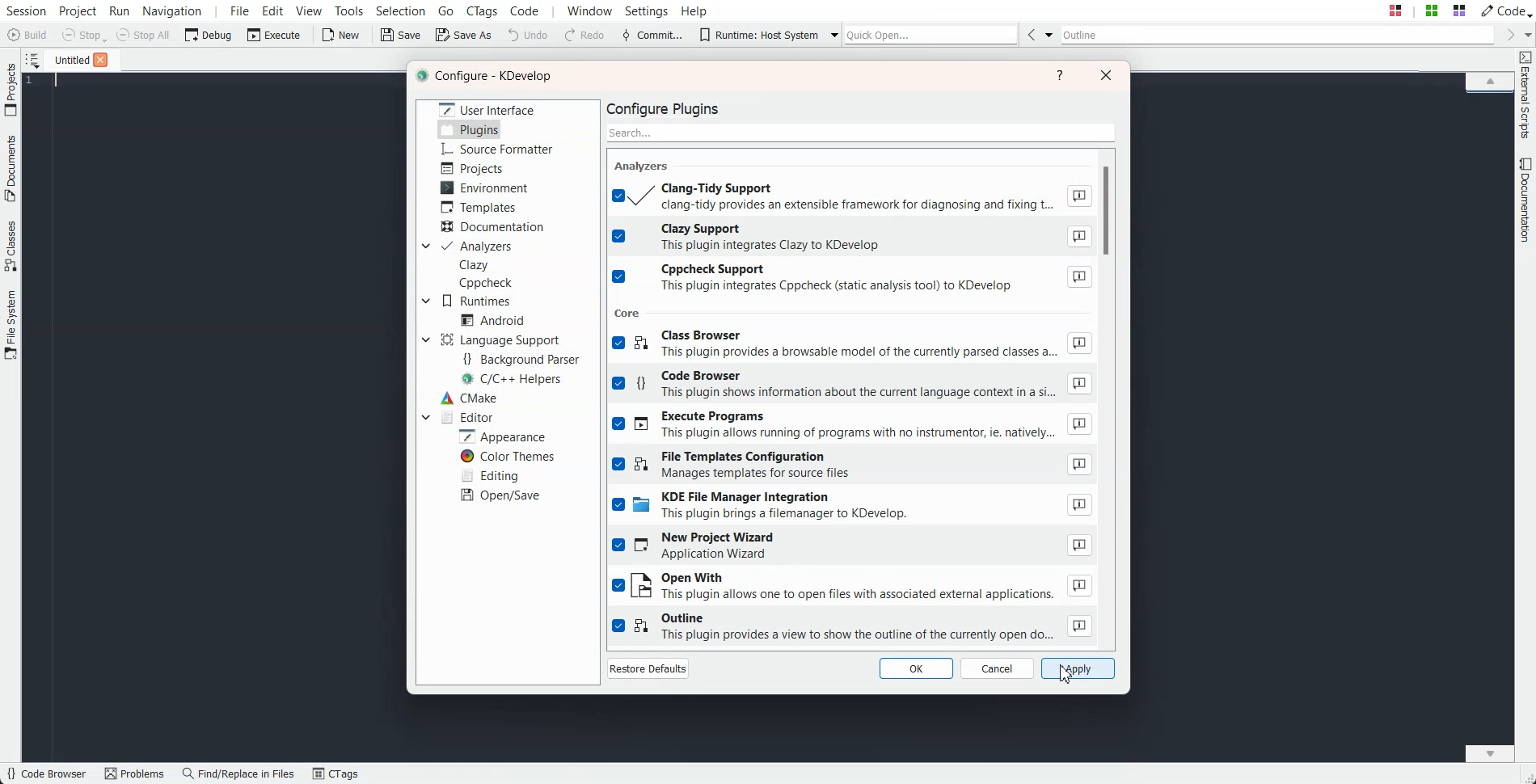  I want to click on Scroll down, so click(1490, 752).